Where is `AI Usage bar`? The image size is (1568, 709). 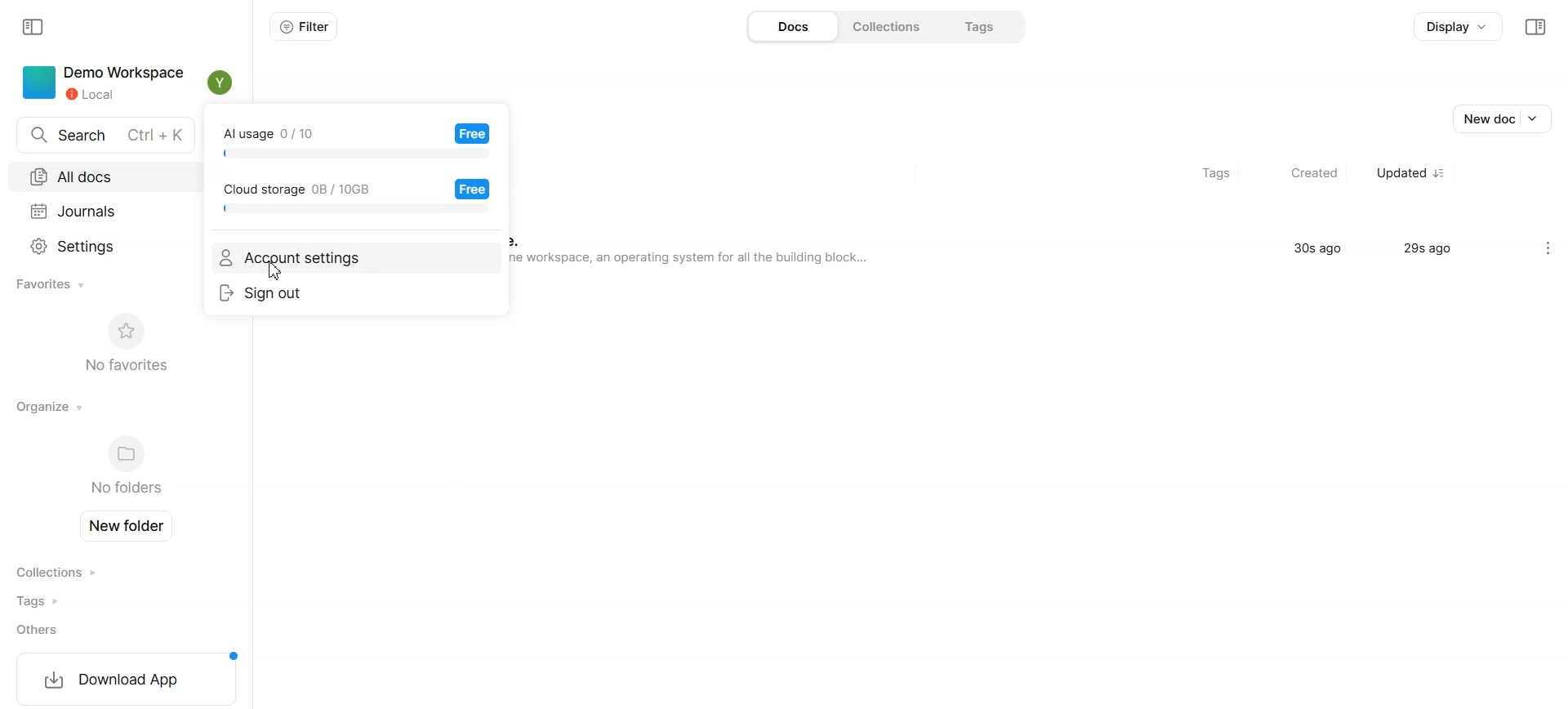 AI Usage bar is located at coordinates (355, 142).